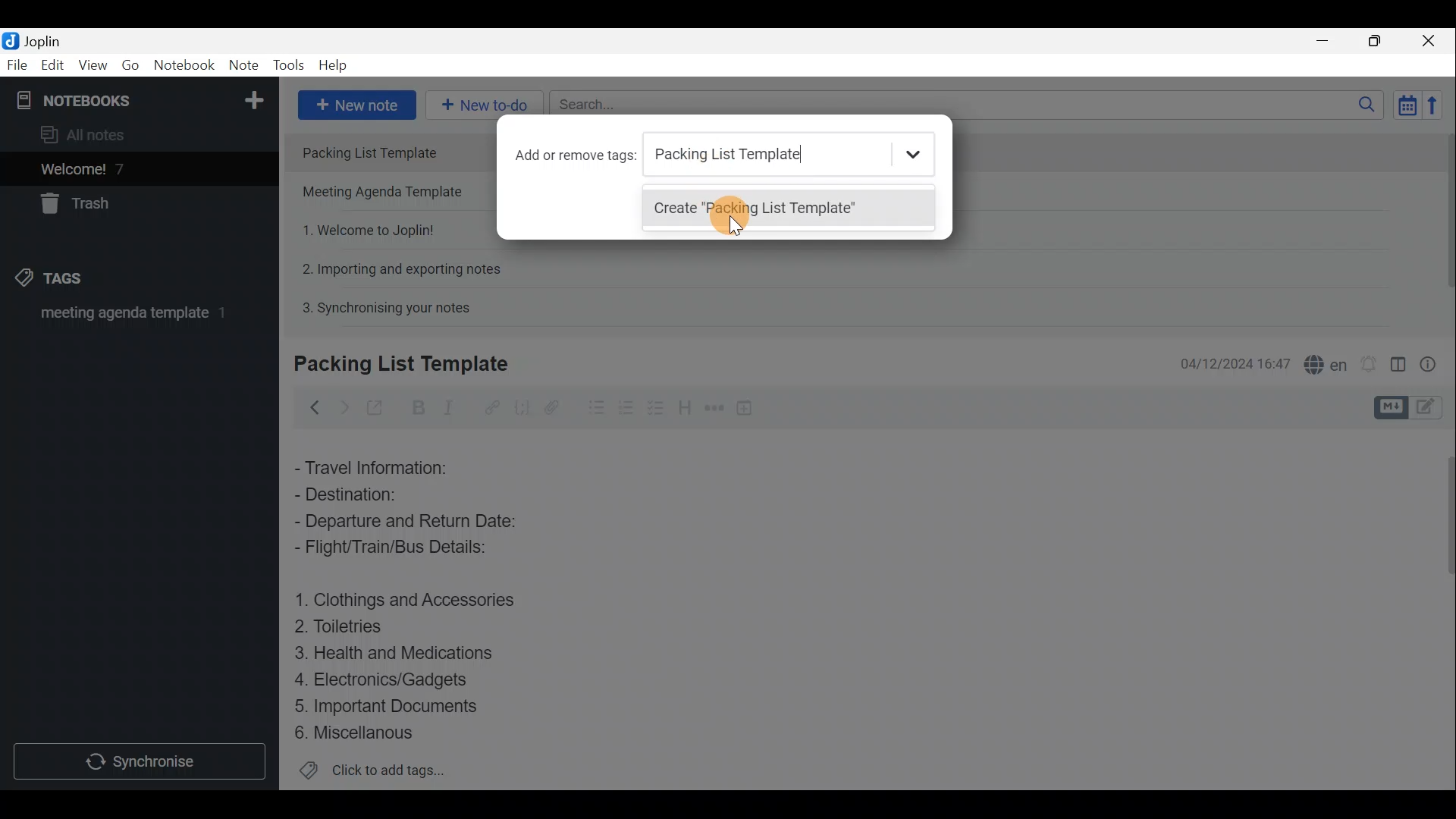 The height and width of the screenshot is (819, 1456). What do you see at coordinates (388, 193) in the screenshot?
I see `Note 2` at bounding box center [388, 193].